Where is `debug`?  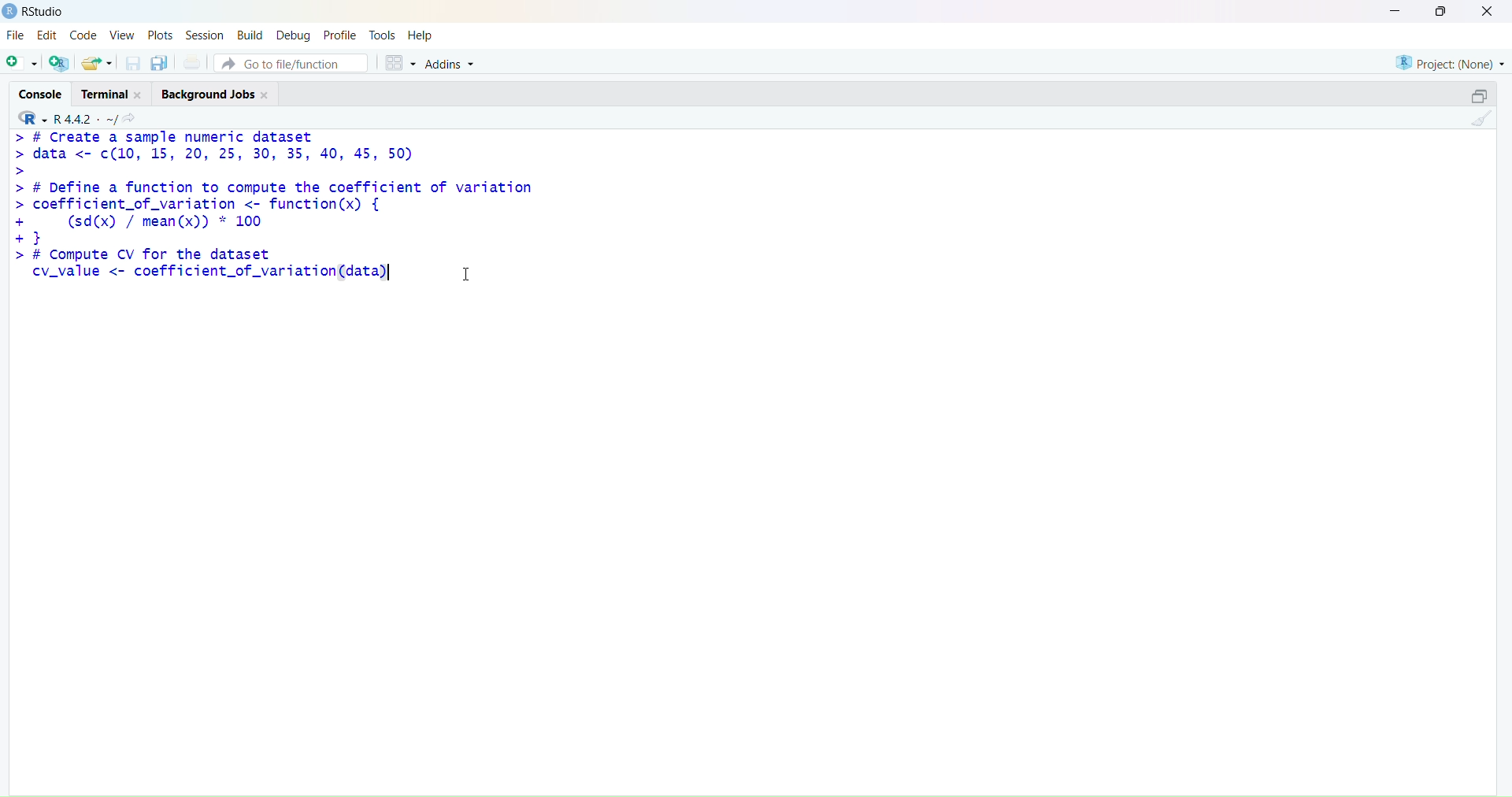
debug is located at coordinates (293, 37).